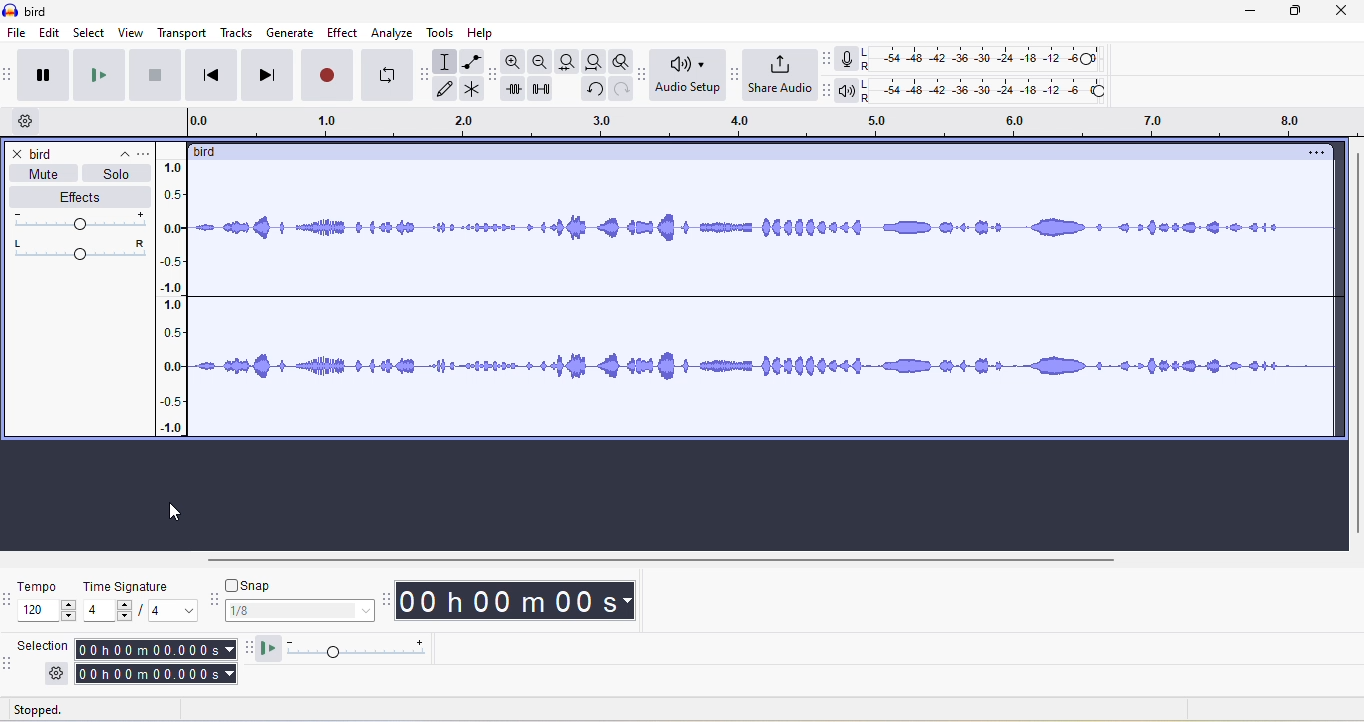 Image resolution: width=1364 pixels, height=722 pixels. I want to click on snap, so click(305, 611).